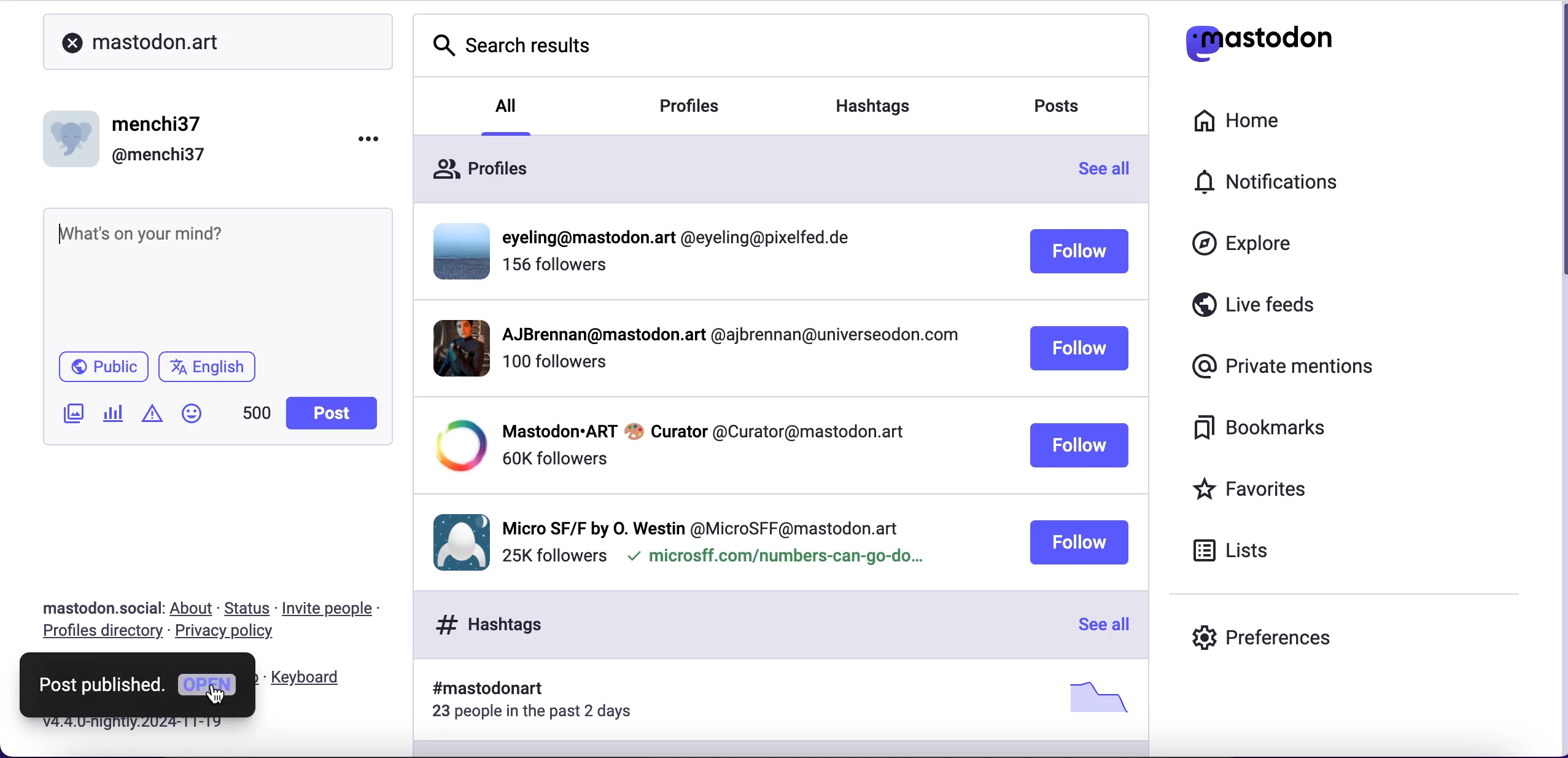 Image resolution: width=1568 pixels, height=758 pixels. I want to click on see all, so click(1103, 168).